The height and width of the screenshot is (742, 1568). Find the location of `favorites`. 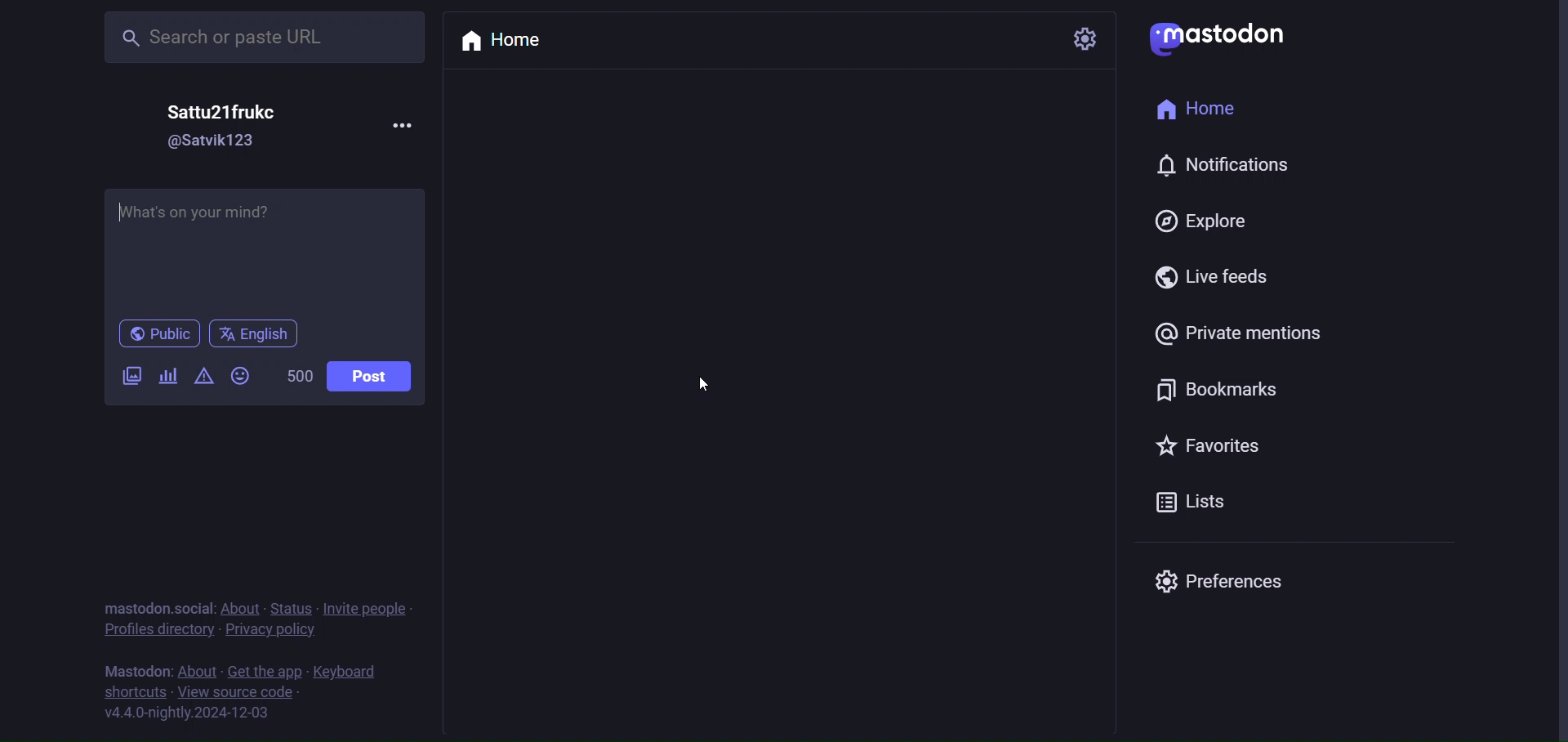

favorites is located at coordinates (1211, 445).